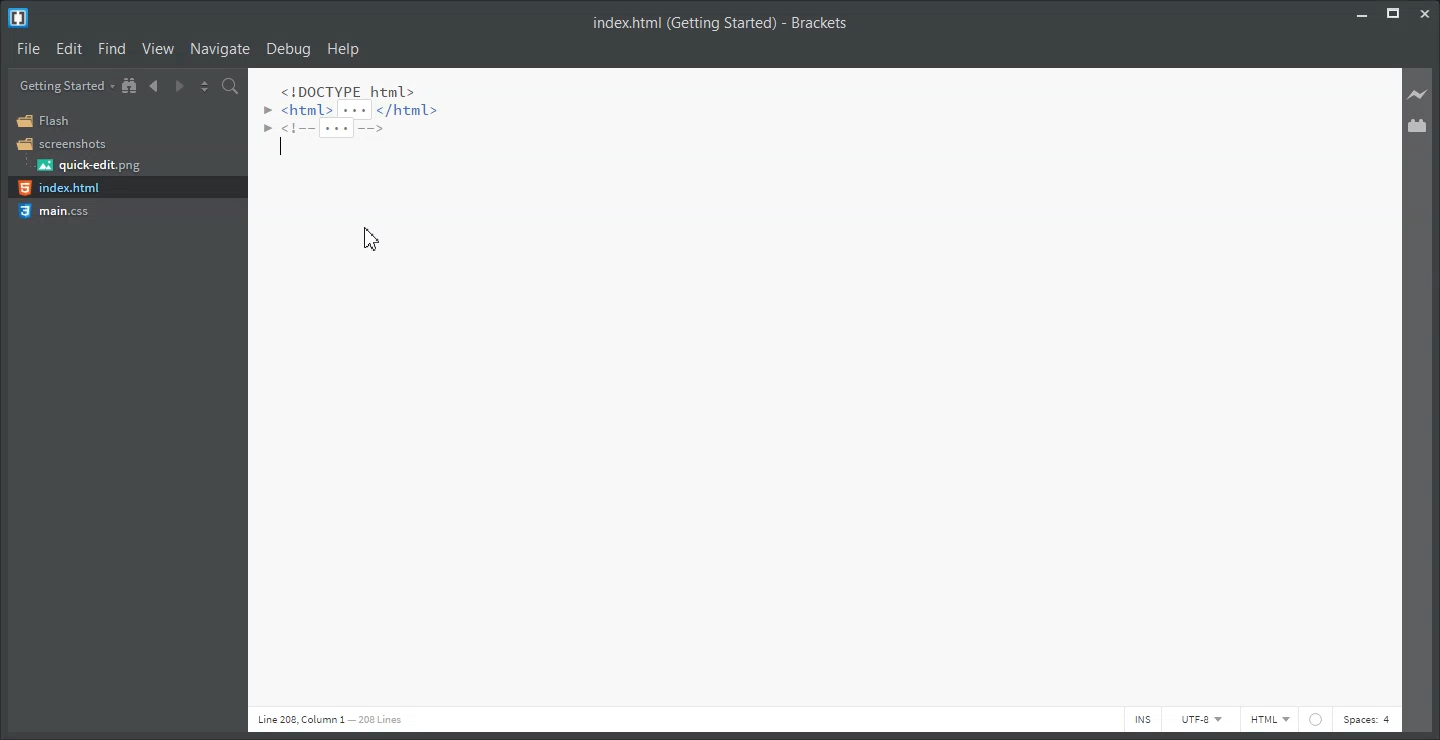  I want to click on code, so click(363, 128).